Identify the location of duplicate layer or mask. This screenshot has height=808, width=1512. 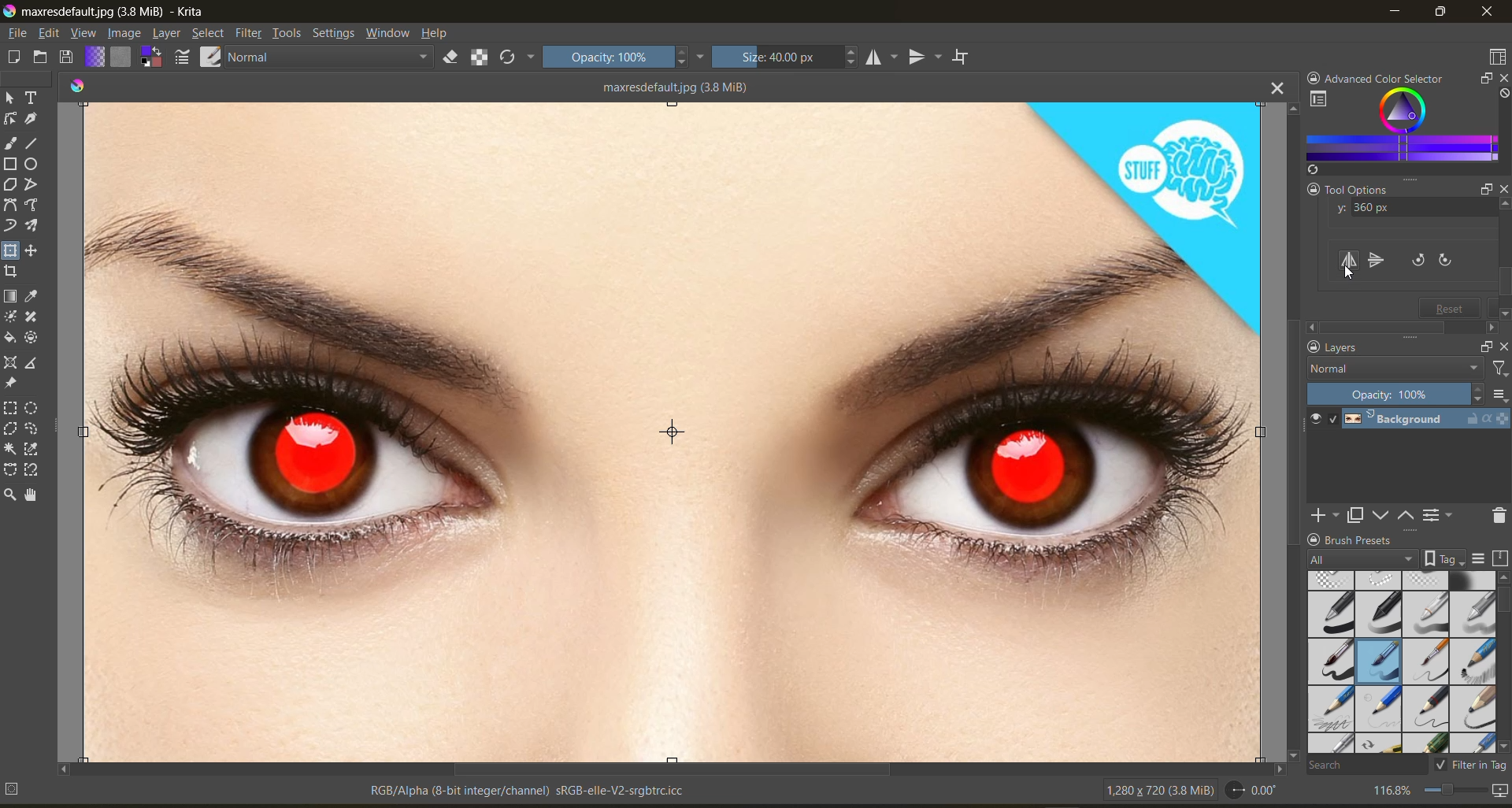
(1357, 516).